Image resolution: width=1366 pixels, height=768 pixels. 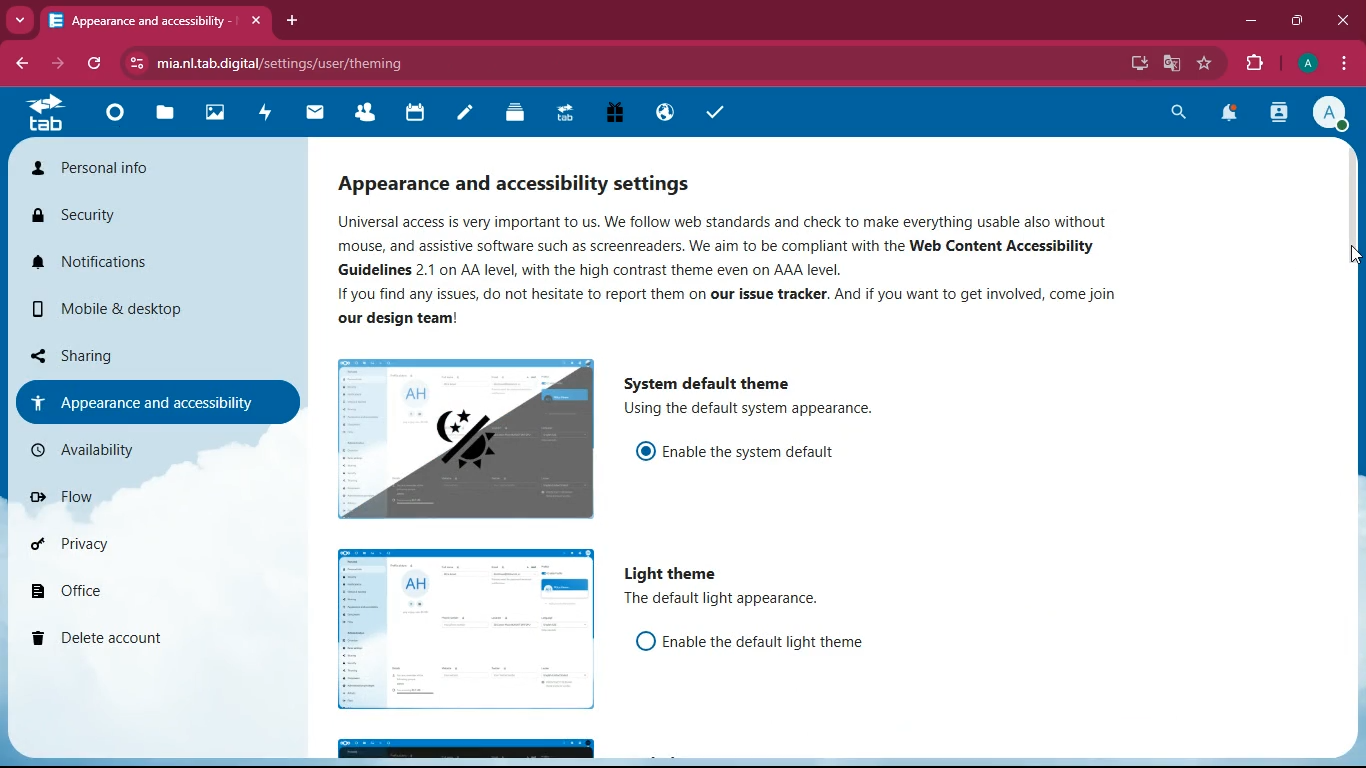 What do you see at coordinates (466, 629) in the screenshot?
I see `off` at bounding box center [466, 629].